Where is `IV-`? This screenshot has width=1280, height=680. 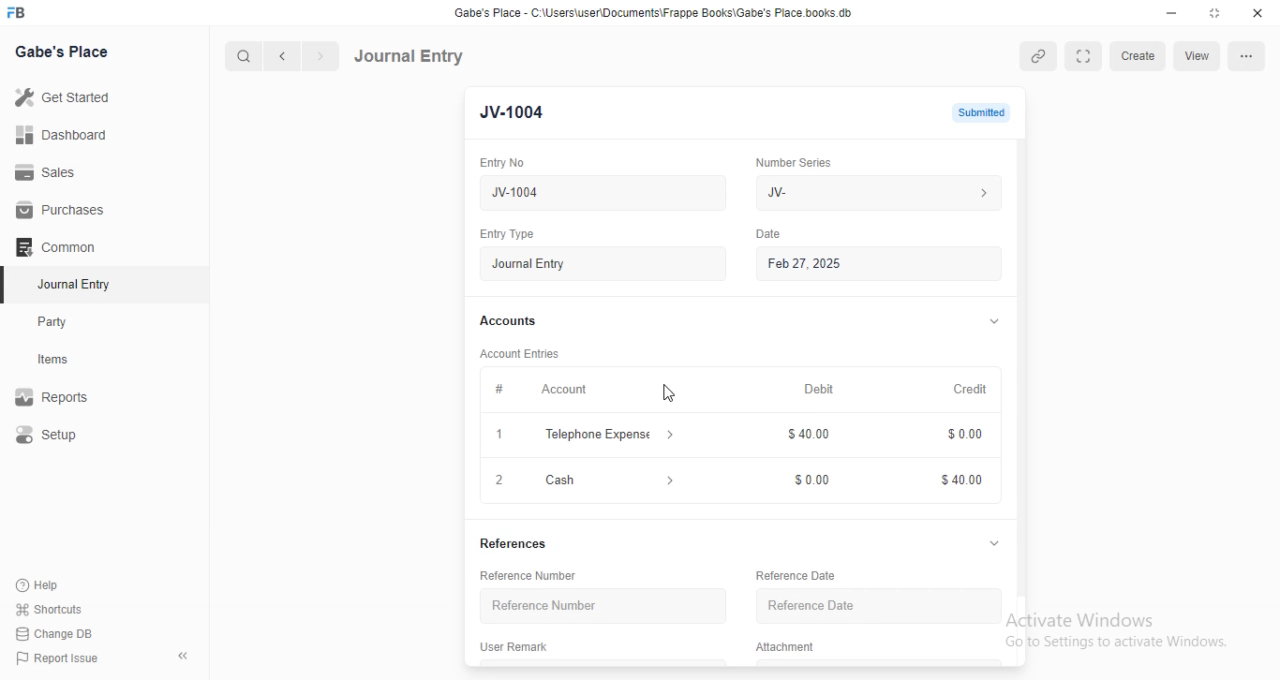 IV- is located at coordinates (877, 192).